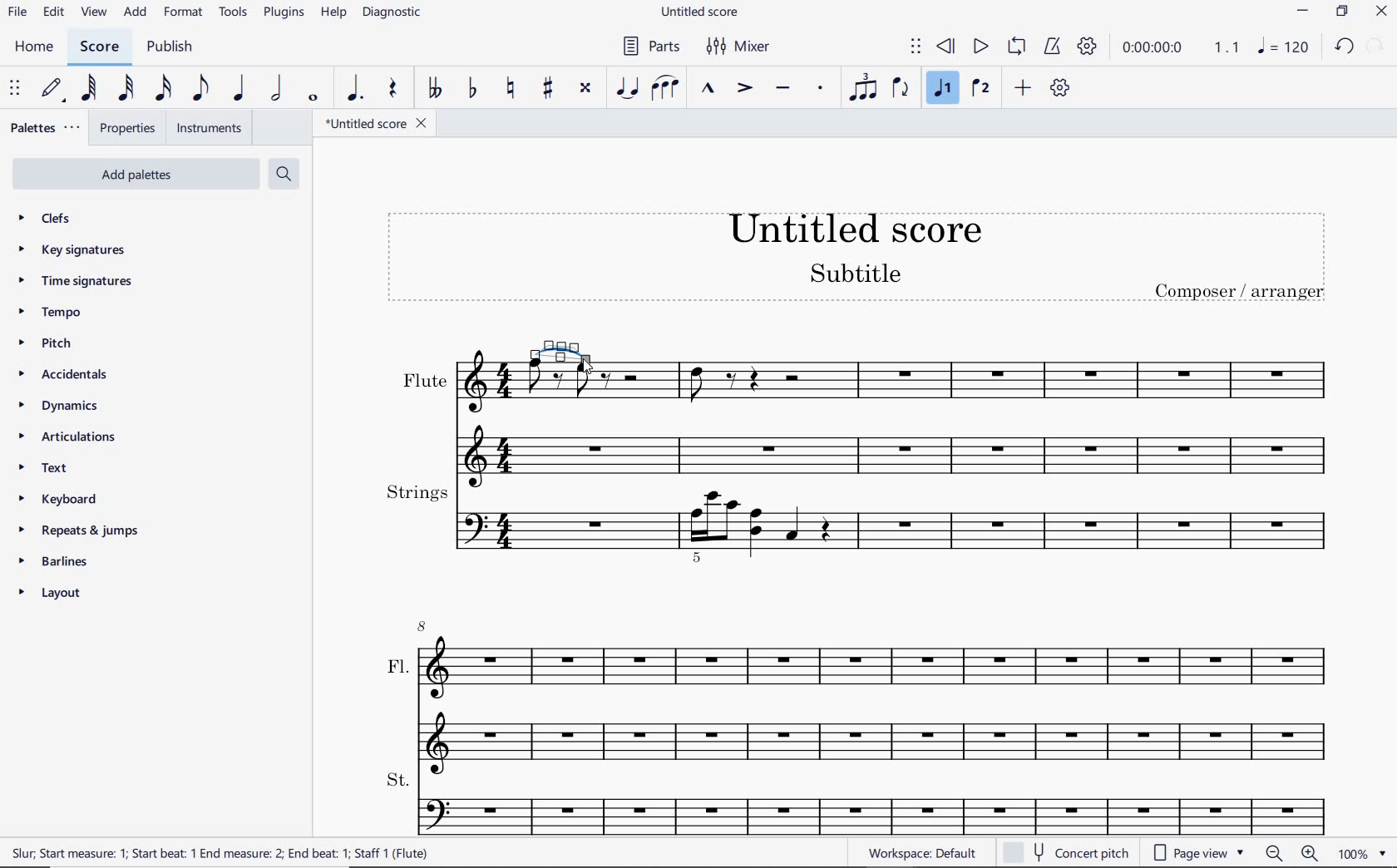 This screenshot has height=868, width=1397. What do you see at coordinates (285, 174) in the screenshot?
I see `search palettes` at bounding box center [285, 174].